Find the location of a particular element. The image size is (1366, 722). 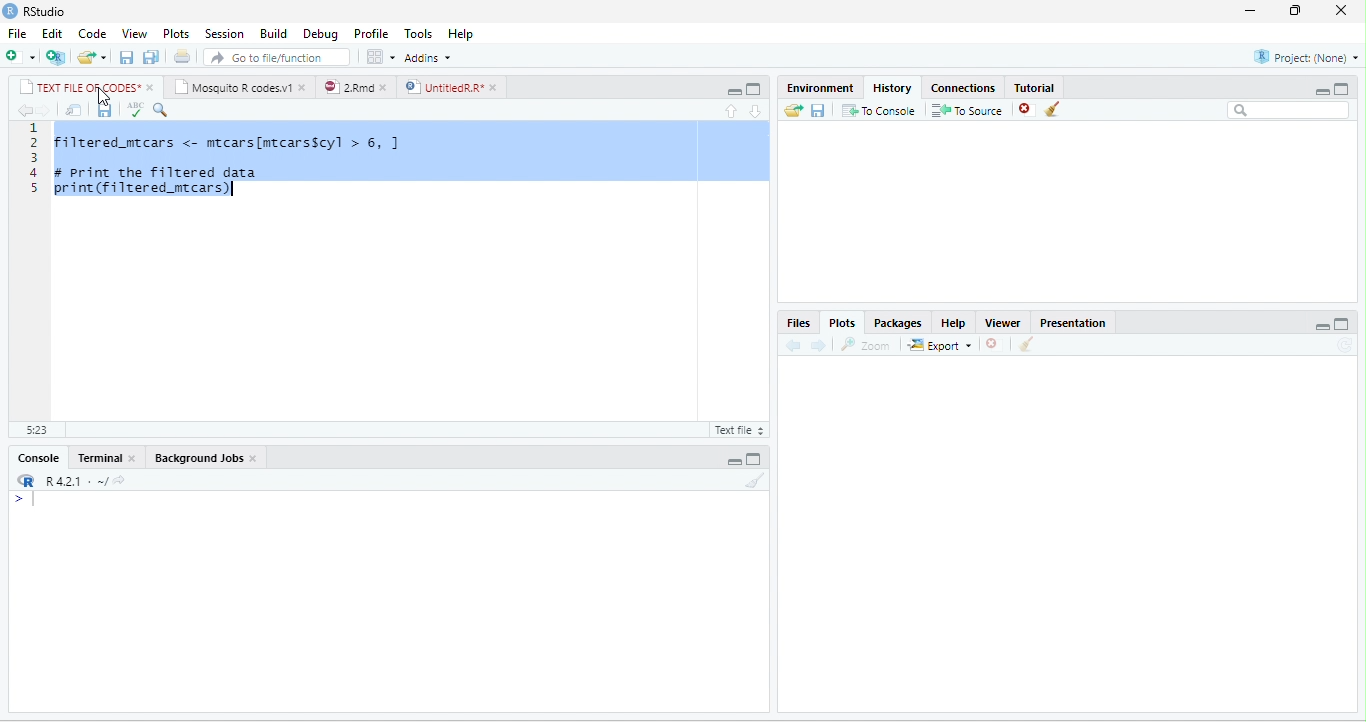

show in new window is located at coordinates (74, 110).